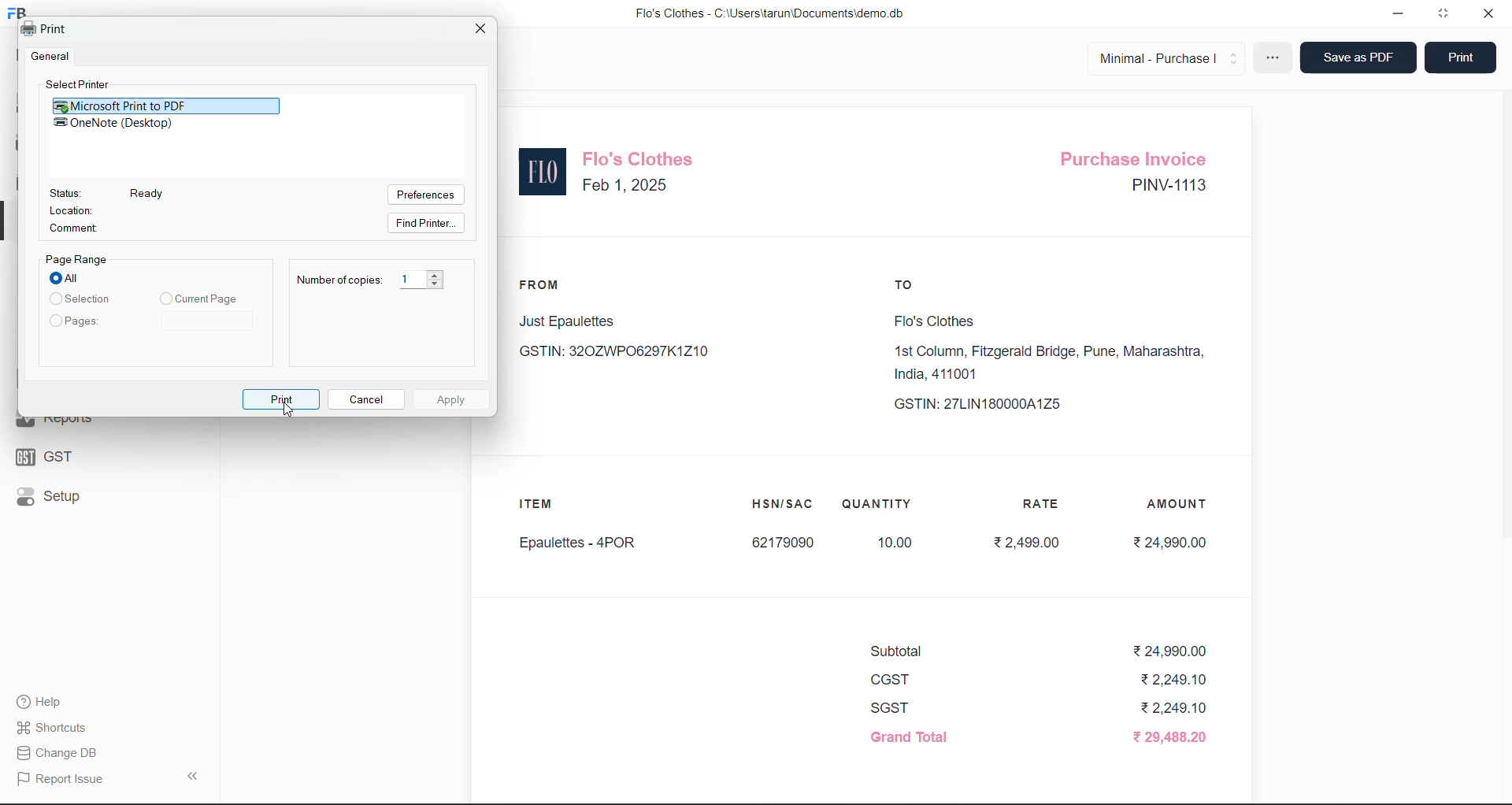  Describe the element at coordinates (543, 170) in the screenshot. I see `logo` at that location.